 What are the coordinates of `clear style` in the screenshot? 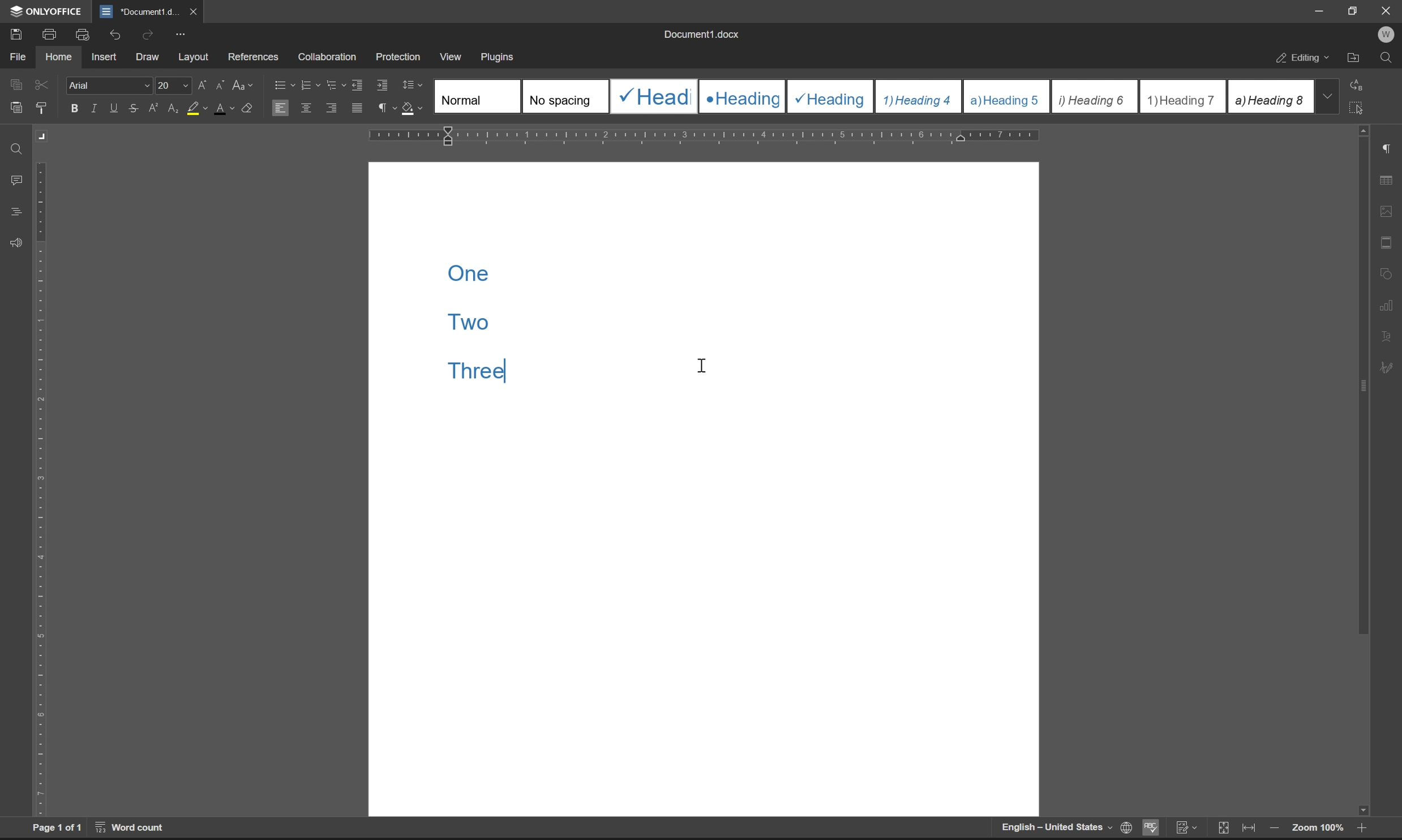 It's located at (248, 106).